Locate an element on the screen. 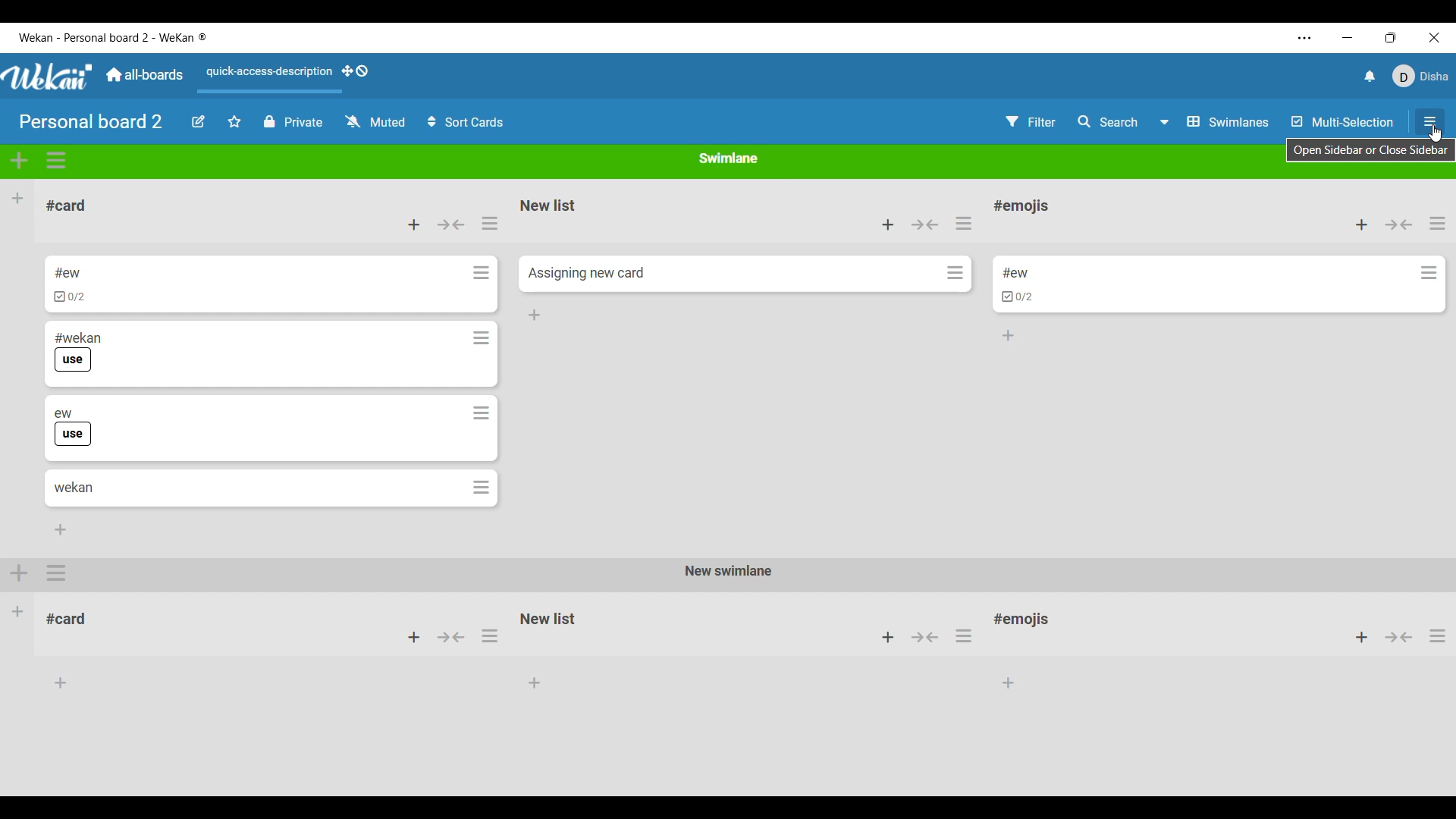 The width and height of the screenshot is (1456, 819). Filter is located at coordinates (1031, 121).